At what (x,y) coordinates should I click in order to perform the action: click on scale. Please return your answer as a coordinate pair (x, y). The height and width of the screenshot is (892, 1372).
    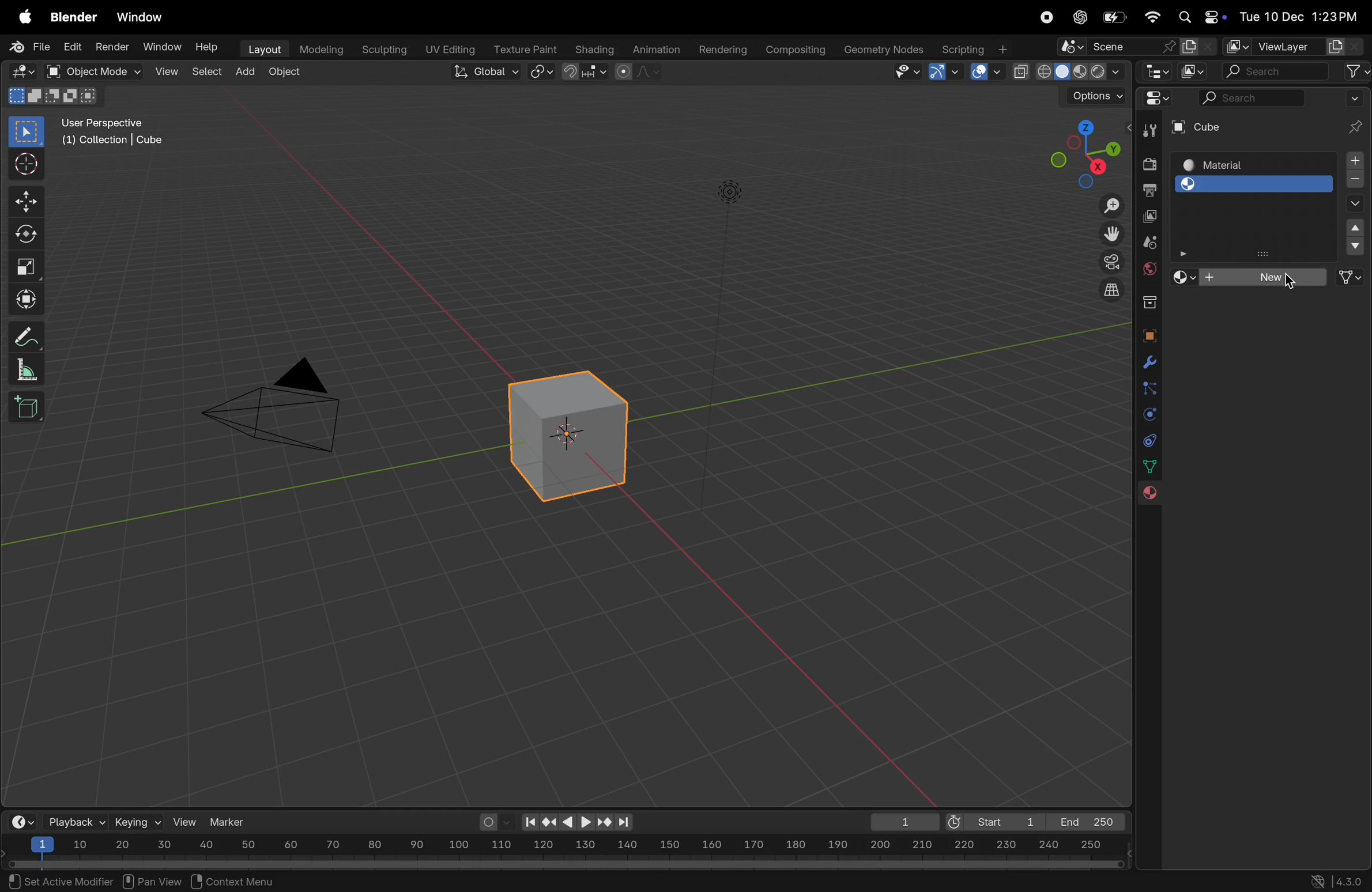
    Looking at the image, I should click on (564, 846).